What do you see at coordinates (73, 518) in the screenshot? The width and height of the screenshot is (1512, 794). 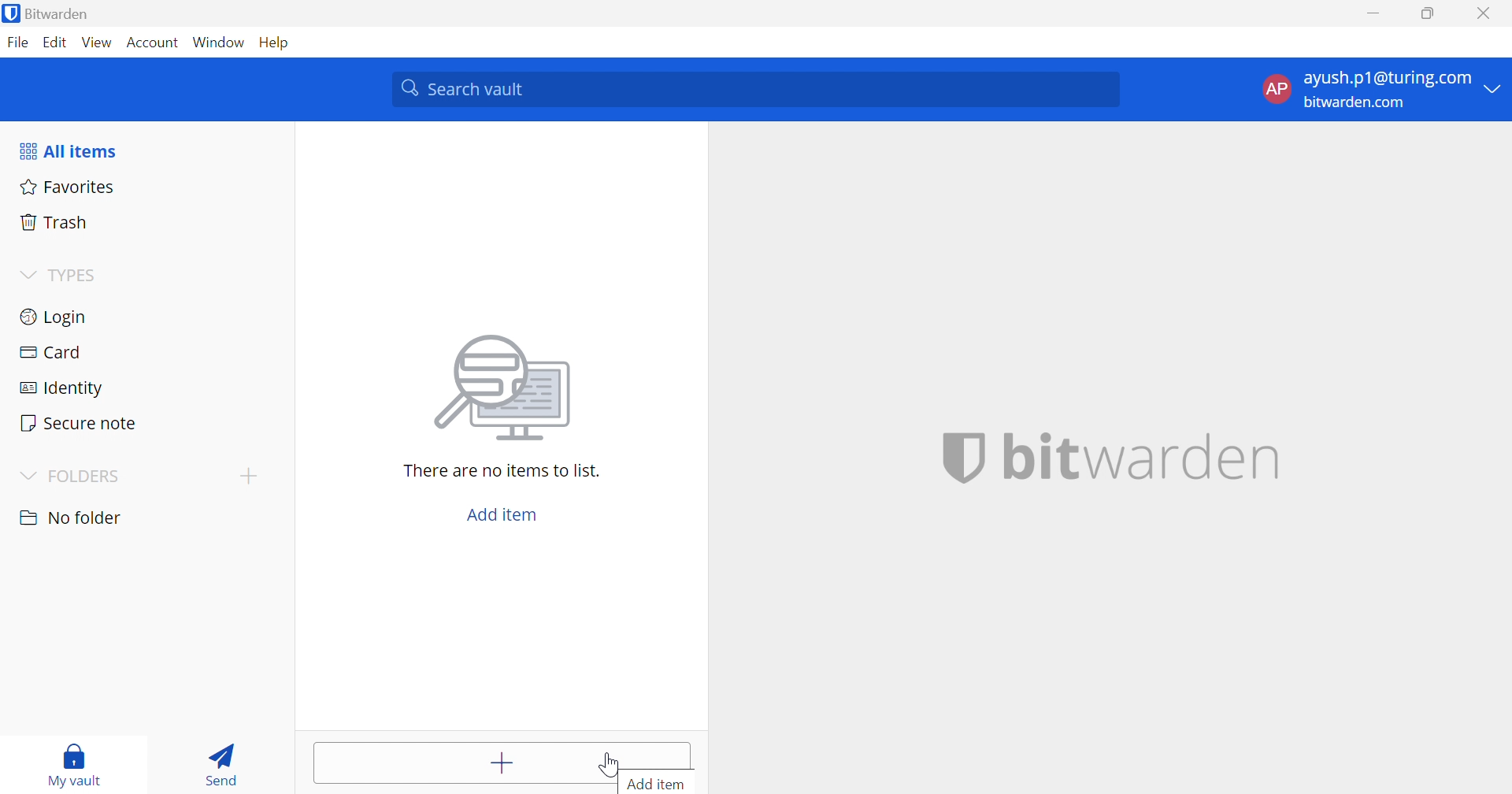 I see `No folder` at bounding box center [73, 518].